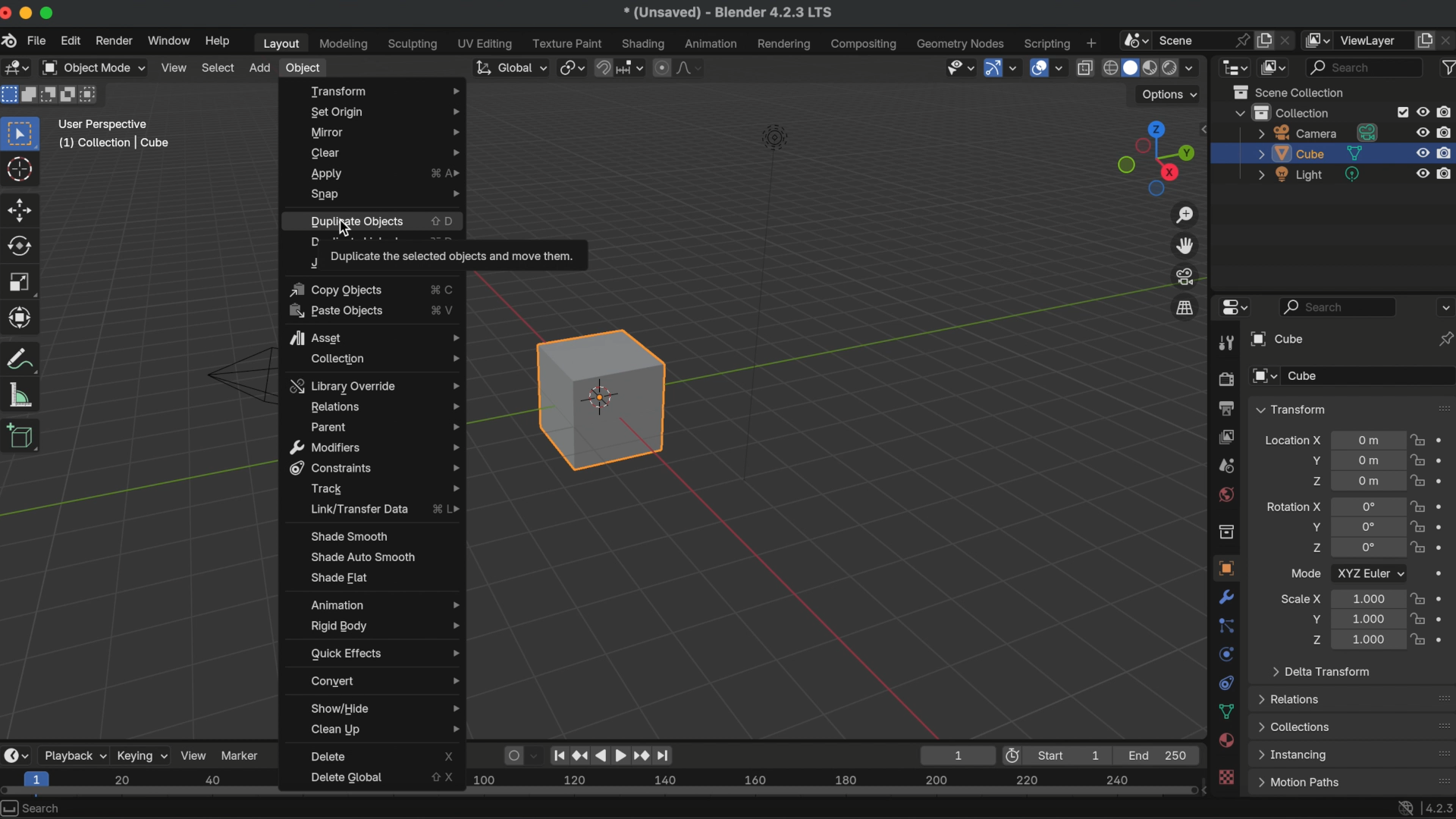 The image size is (1456, 819). Describe the element at coordinates (1365, 67) in the screenshot. I see `display filter` at that location.